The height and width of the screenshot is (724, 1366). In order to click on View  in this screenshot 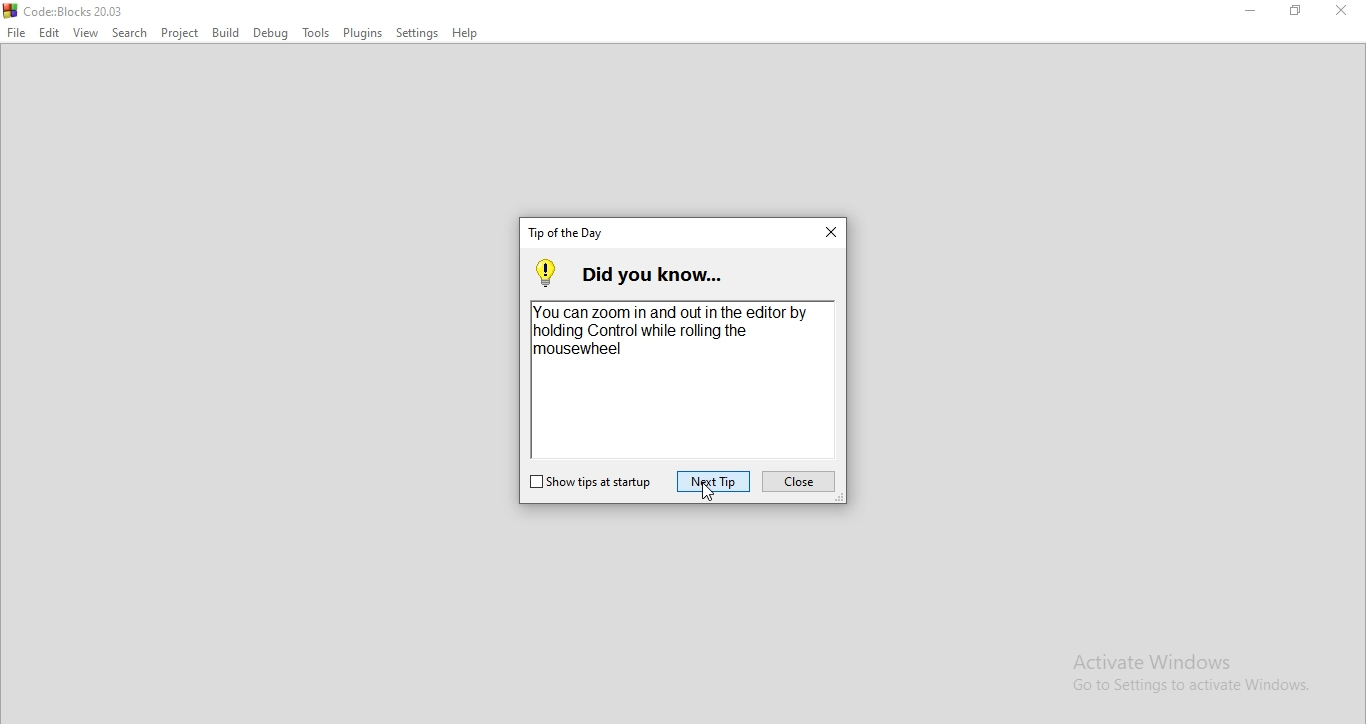, I will do `click(86, 33)`.